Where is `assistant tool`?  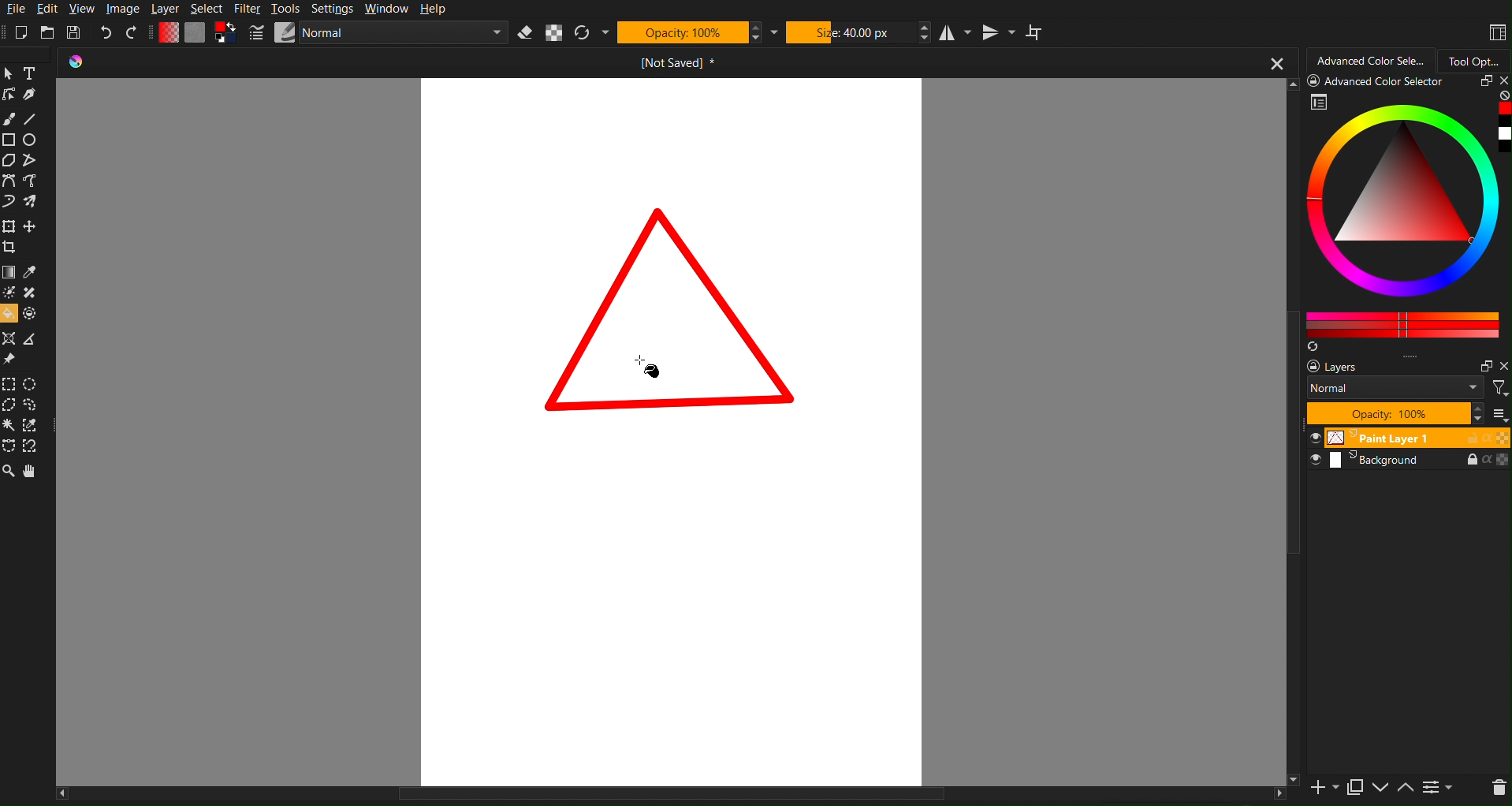
assistant tool is located at coordinates (10, 338).